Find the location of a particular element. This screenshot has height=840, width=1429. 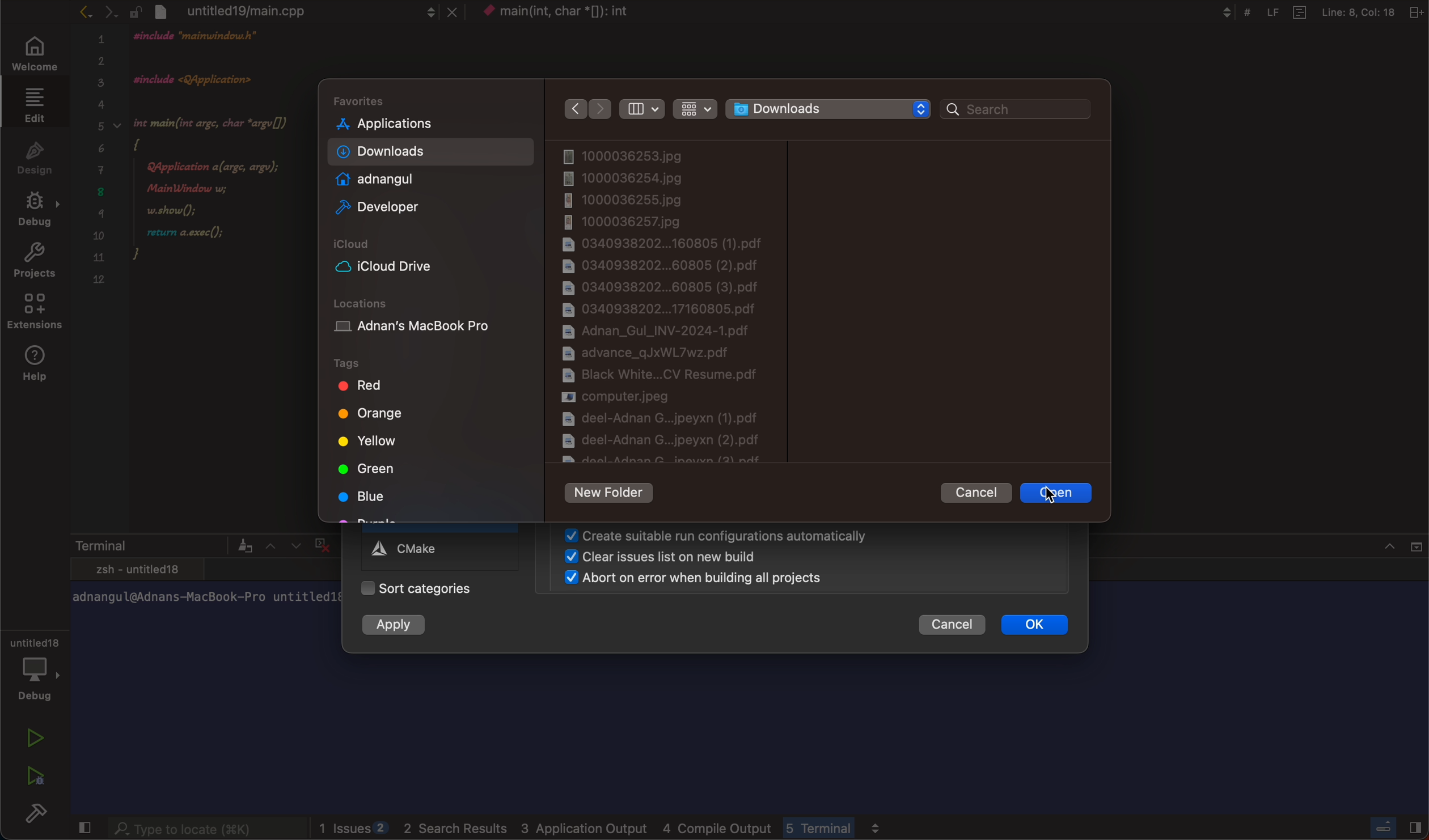

build is located at coordinates (33, 814).